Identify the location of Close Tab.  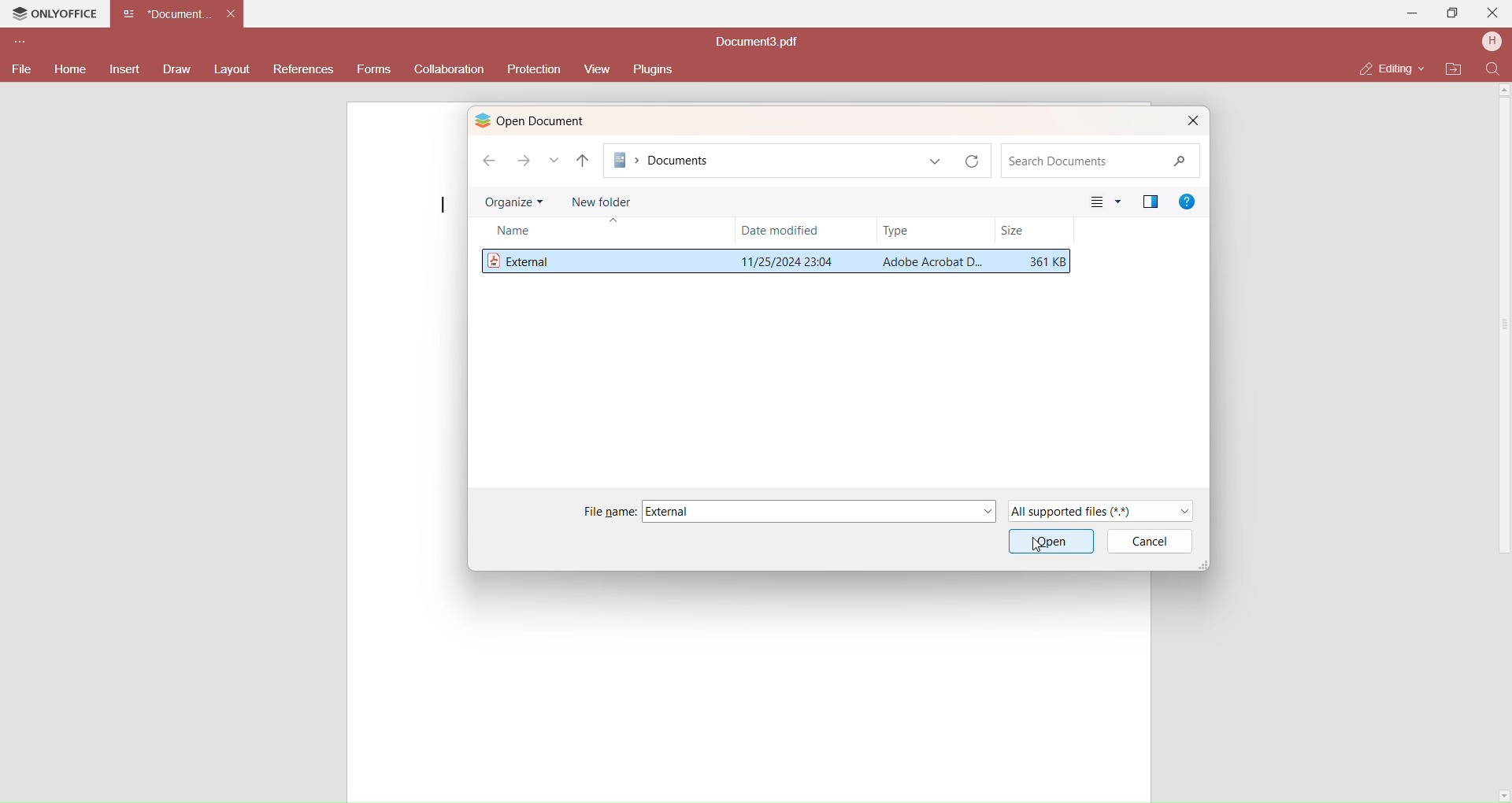
(231, 13).